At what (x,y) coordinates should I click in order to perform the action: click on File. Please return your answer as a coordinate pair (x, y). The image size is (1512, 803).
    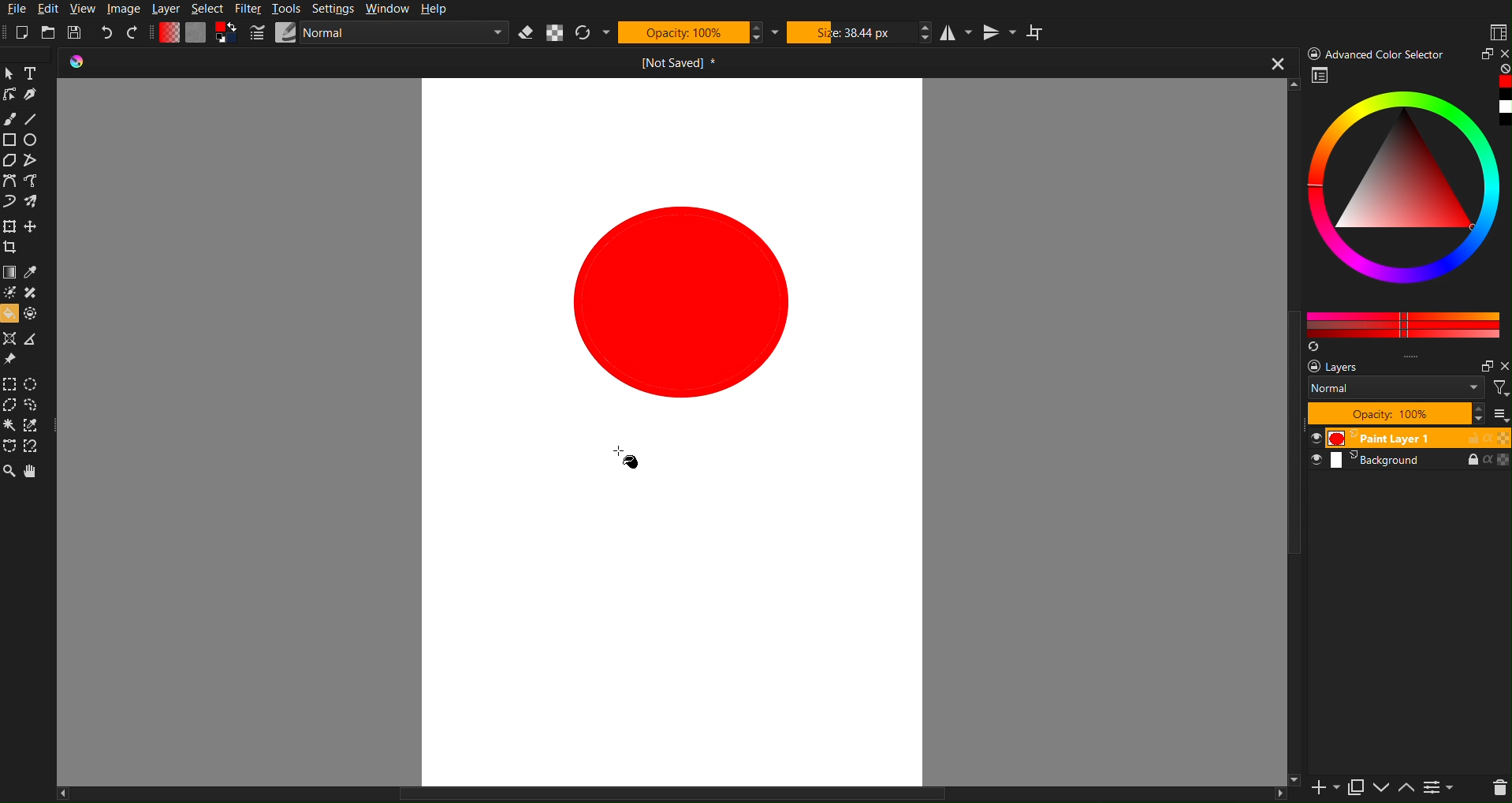
    Looking at the image, I should click on (15, 12).